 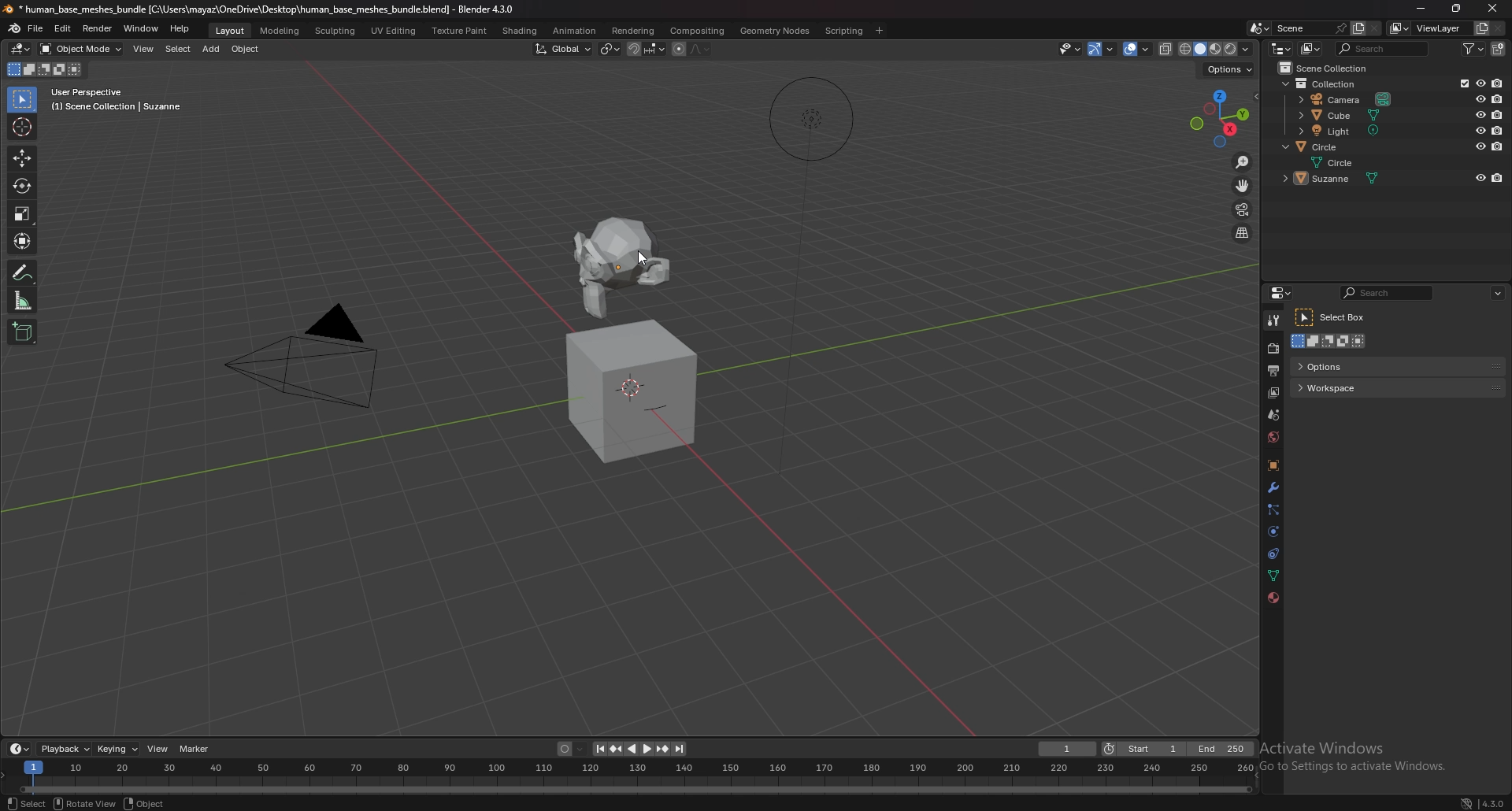 What do you see at coordinates (1071, 48) in the screenshot?
I see `selectibility and visibility` at bounding box center [1071, 48].